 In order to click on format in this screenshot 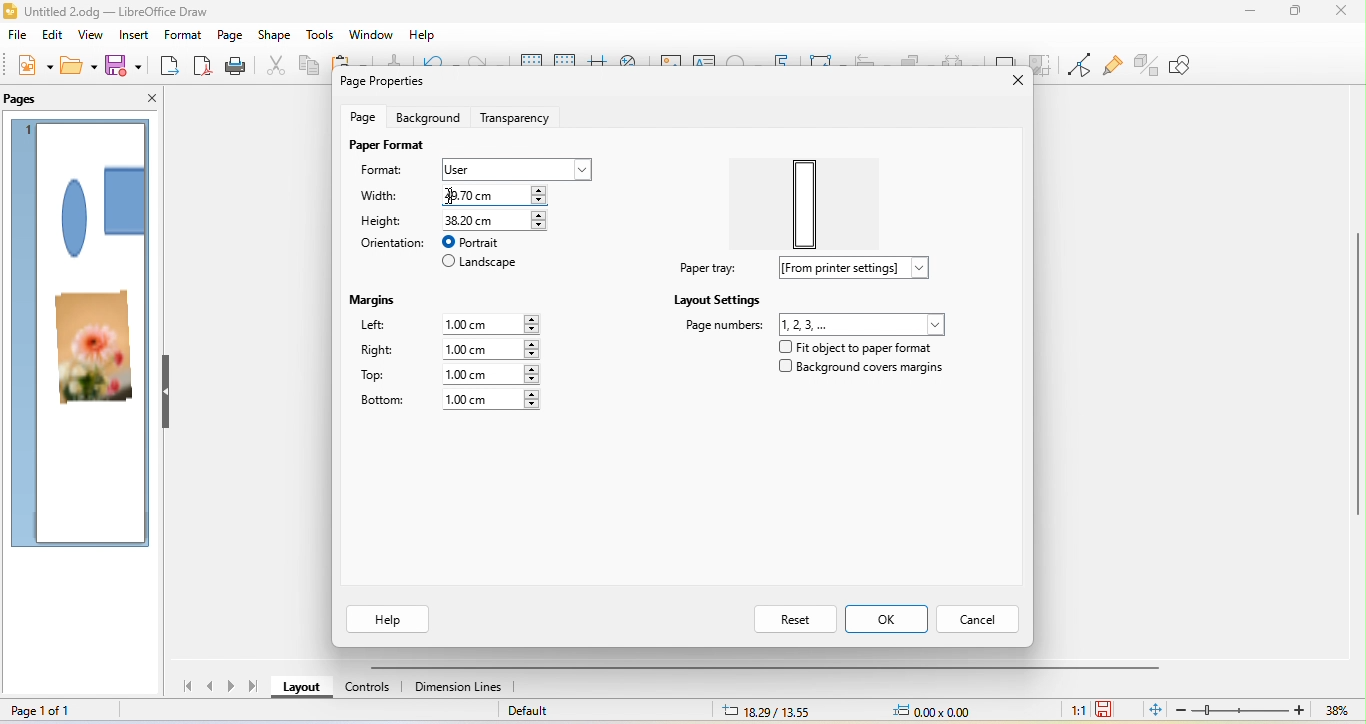, I will do `click(385, 168)`.